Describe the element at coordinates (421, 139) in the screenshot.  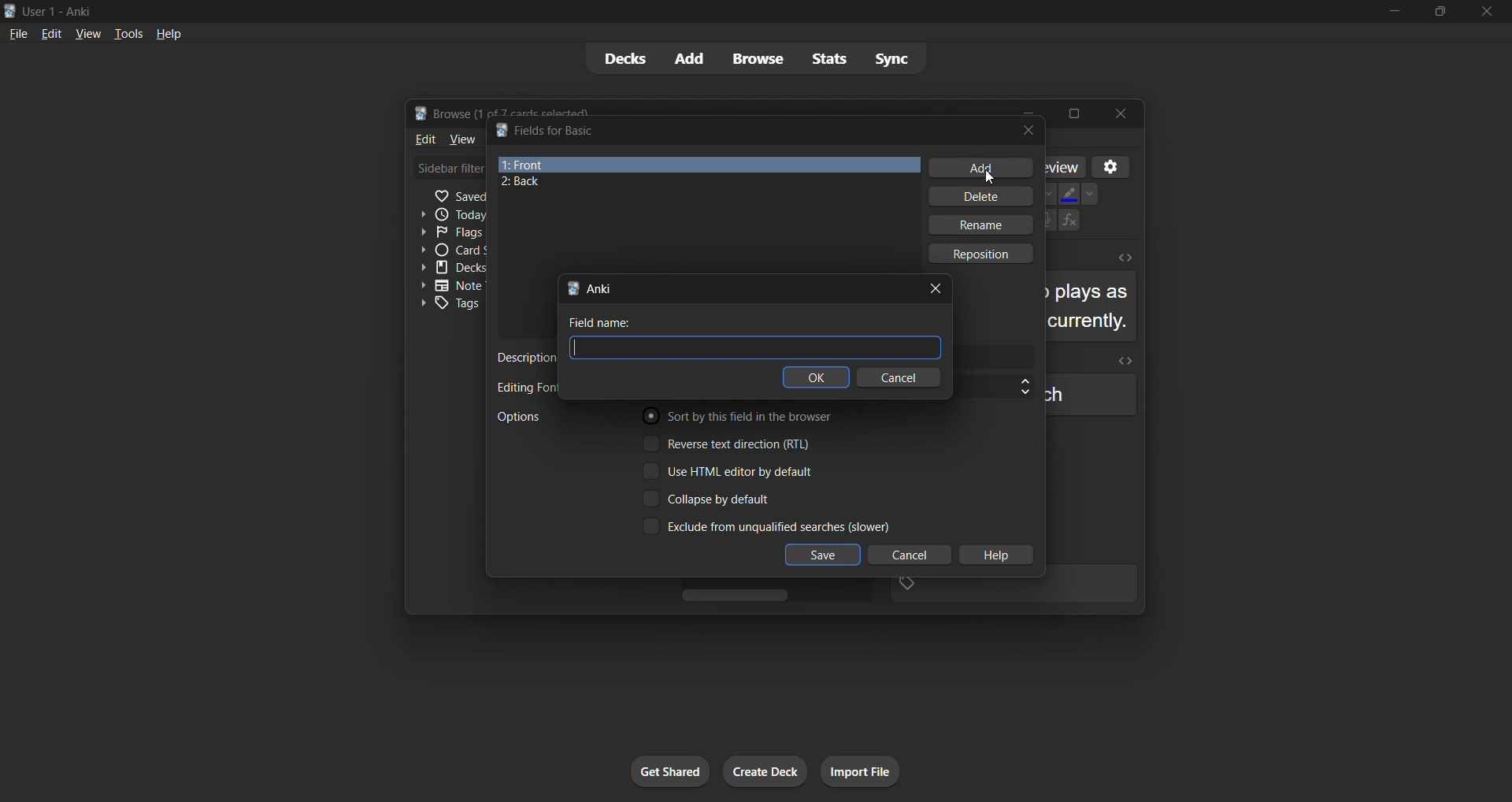
I see `Edit` at that location.